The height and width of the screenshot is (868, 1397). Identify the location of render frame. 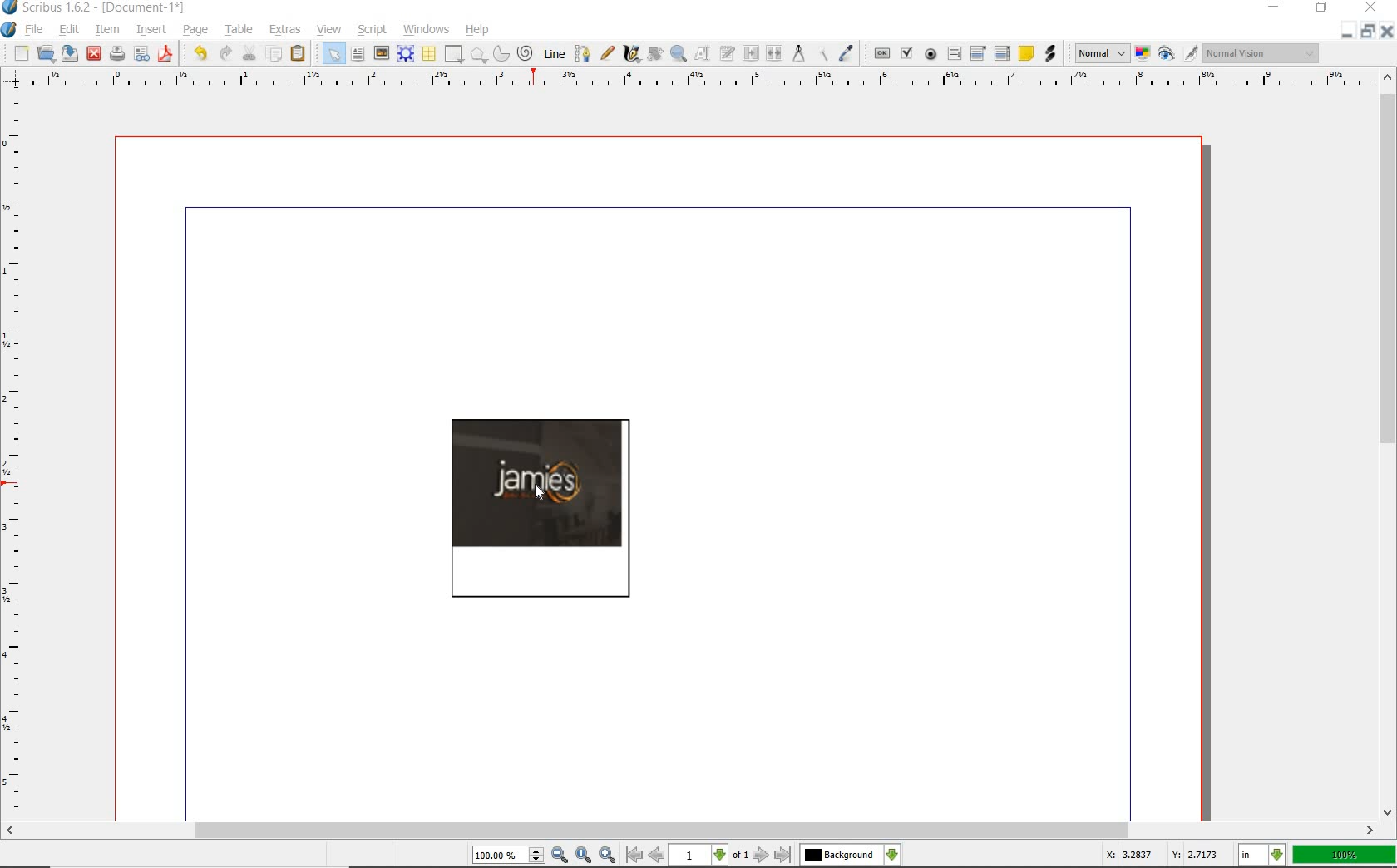
(405, 54).